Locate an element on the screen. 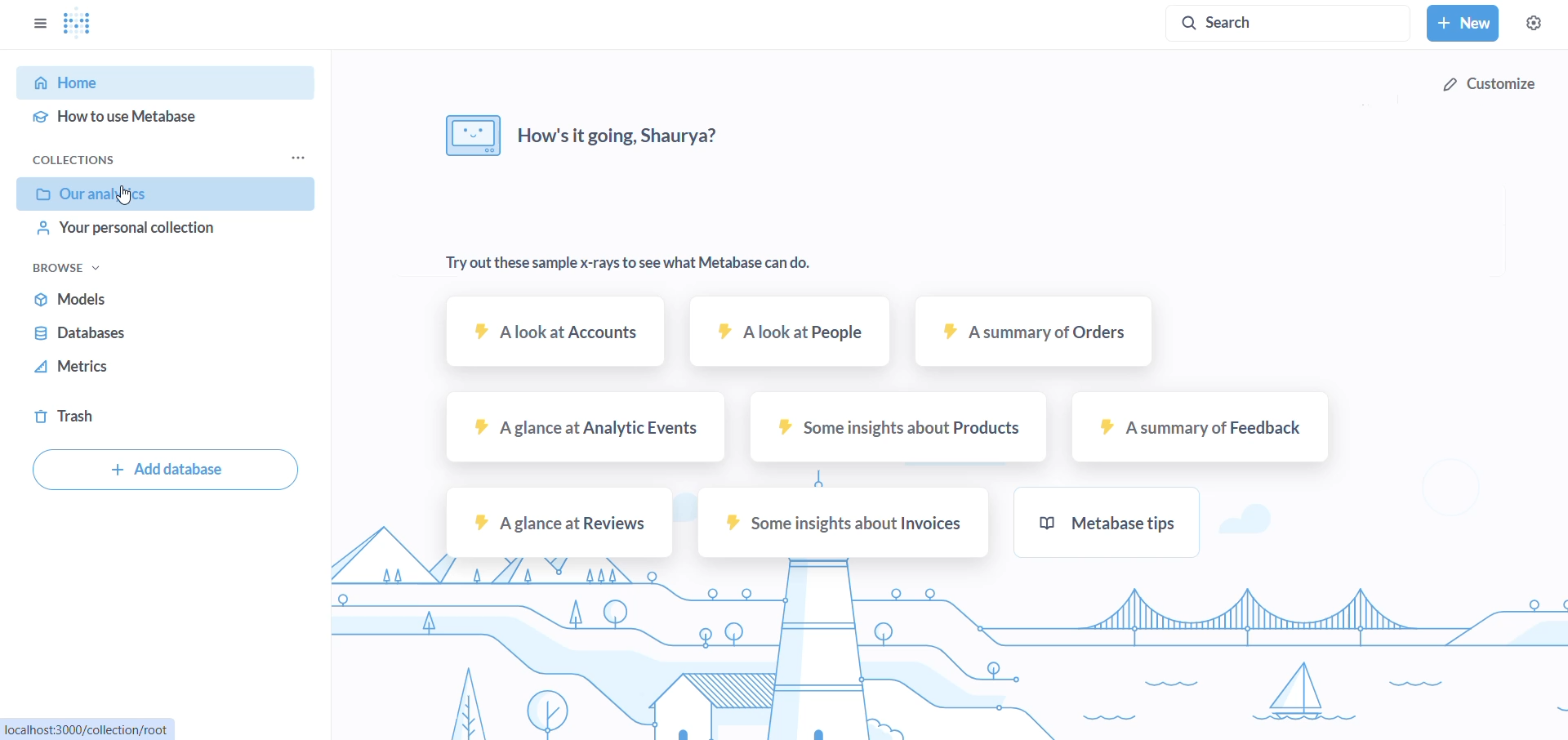  A look at people sample is located at coordinates (785, 333).